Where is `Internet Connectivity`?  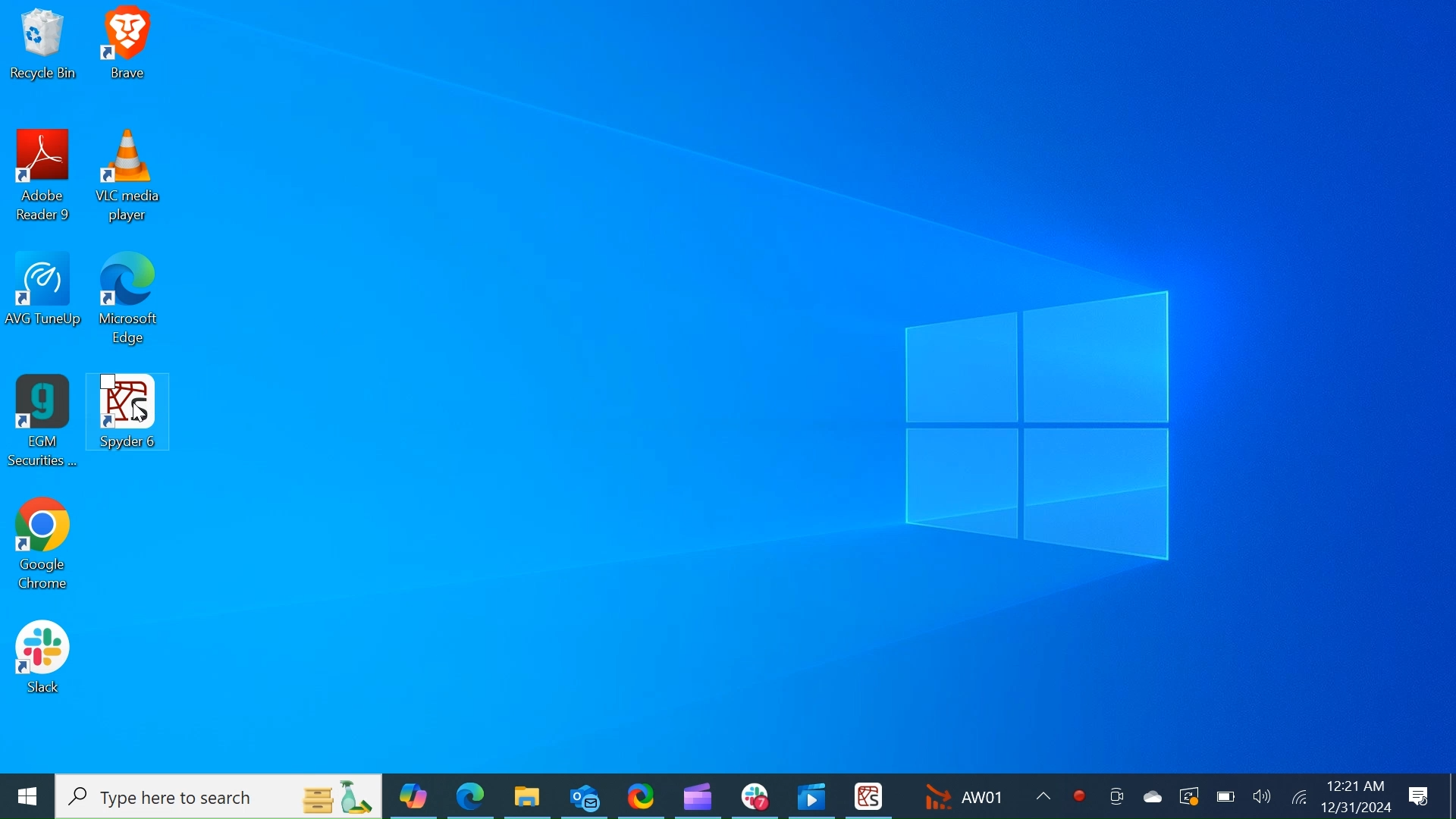
Internet Connectivity is located at coordinates (1298, 795).